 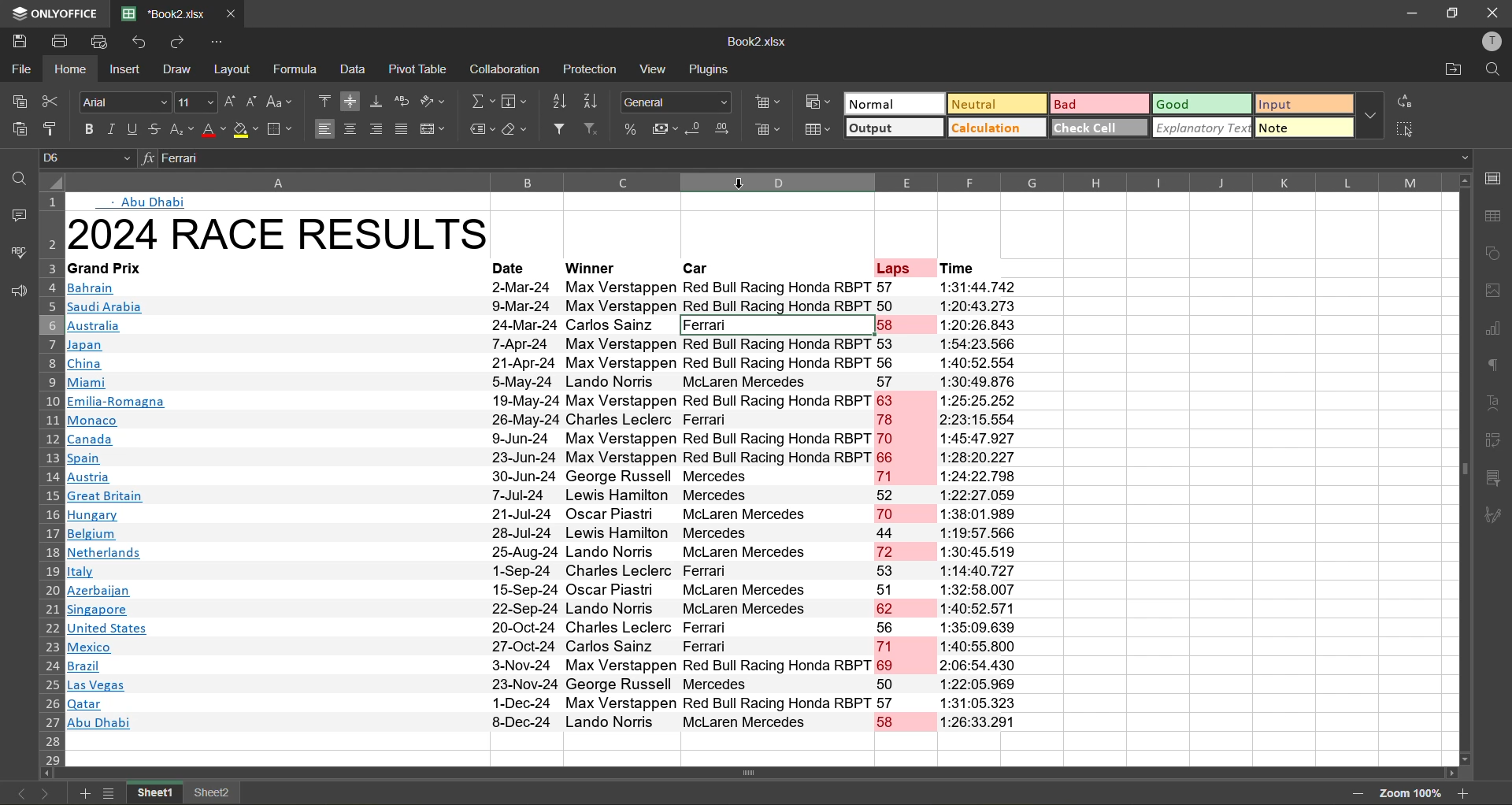 What do you see at coordinates (545, 345) in the screenshot?
I see `Japan 7-Apr-24 Max Verstappen Red Bull Racing Honda RBPT 53 1:54:23.566` at bounding box center [545, 345].